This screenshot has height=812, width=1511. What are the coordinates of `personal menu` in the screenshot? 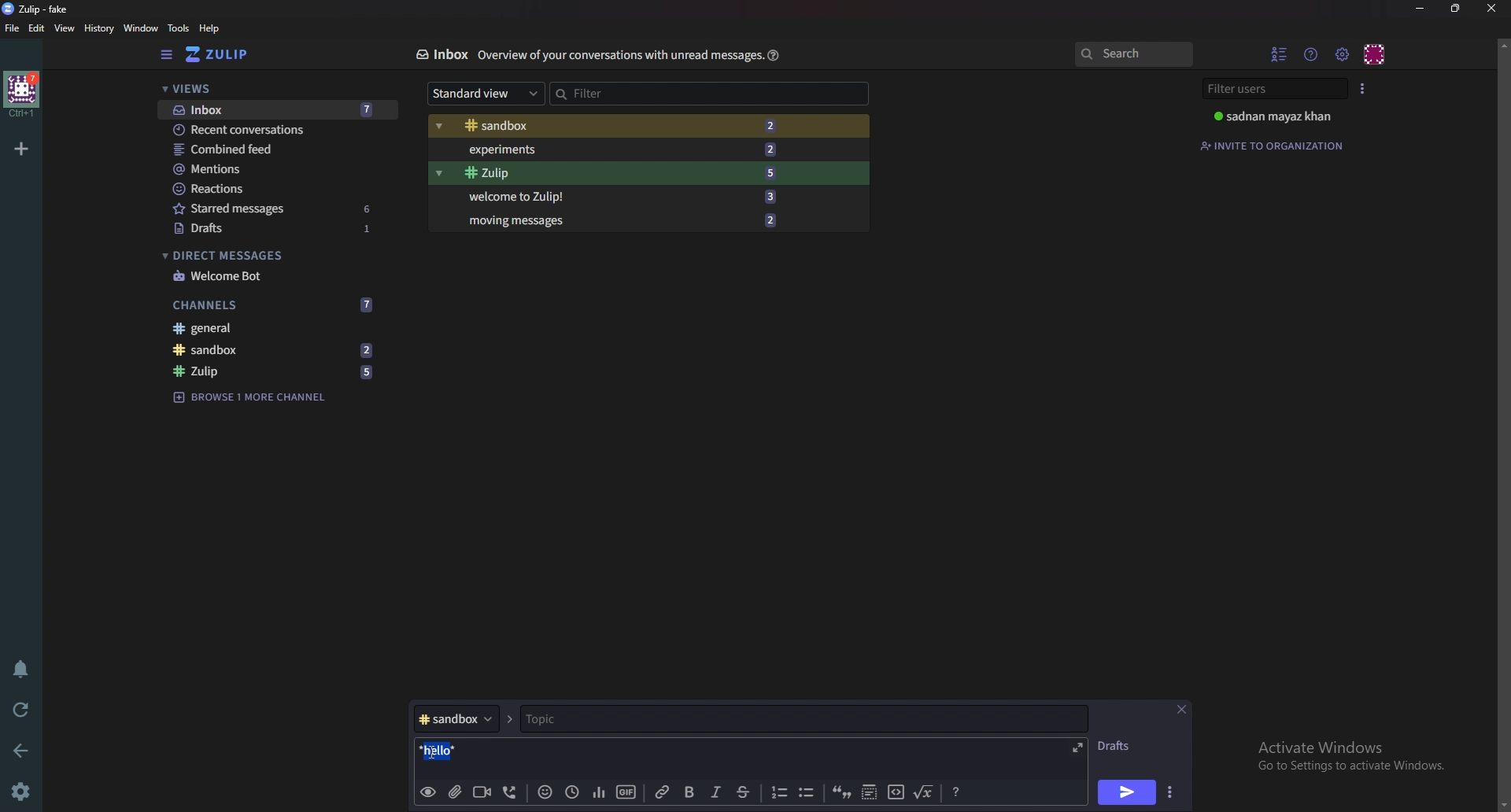 It's located at (1376, 53).